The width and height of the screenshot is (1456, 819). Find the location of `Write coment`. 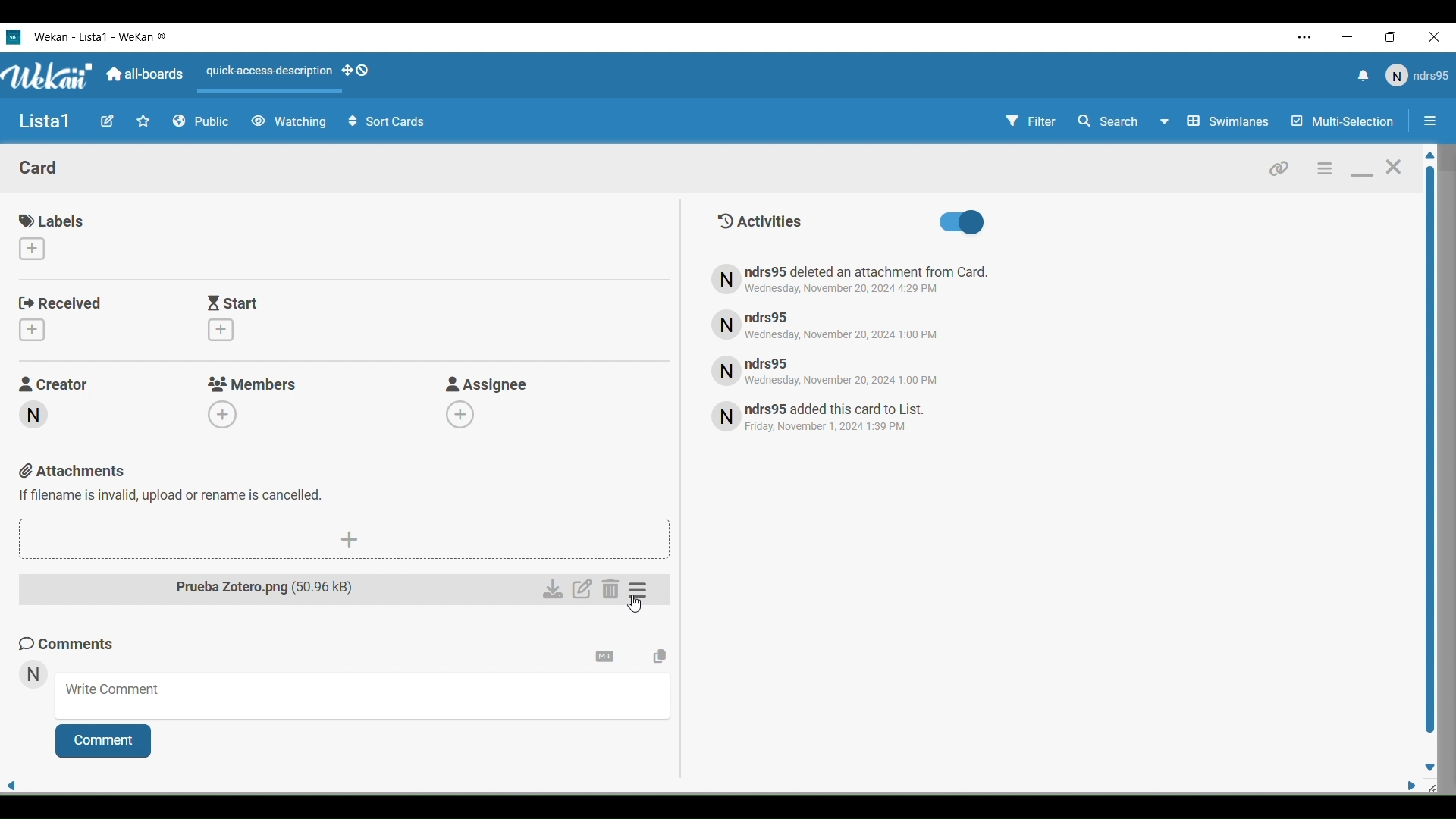

Write coment is located at coordinates (364, 696).